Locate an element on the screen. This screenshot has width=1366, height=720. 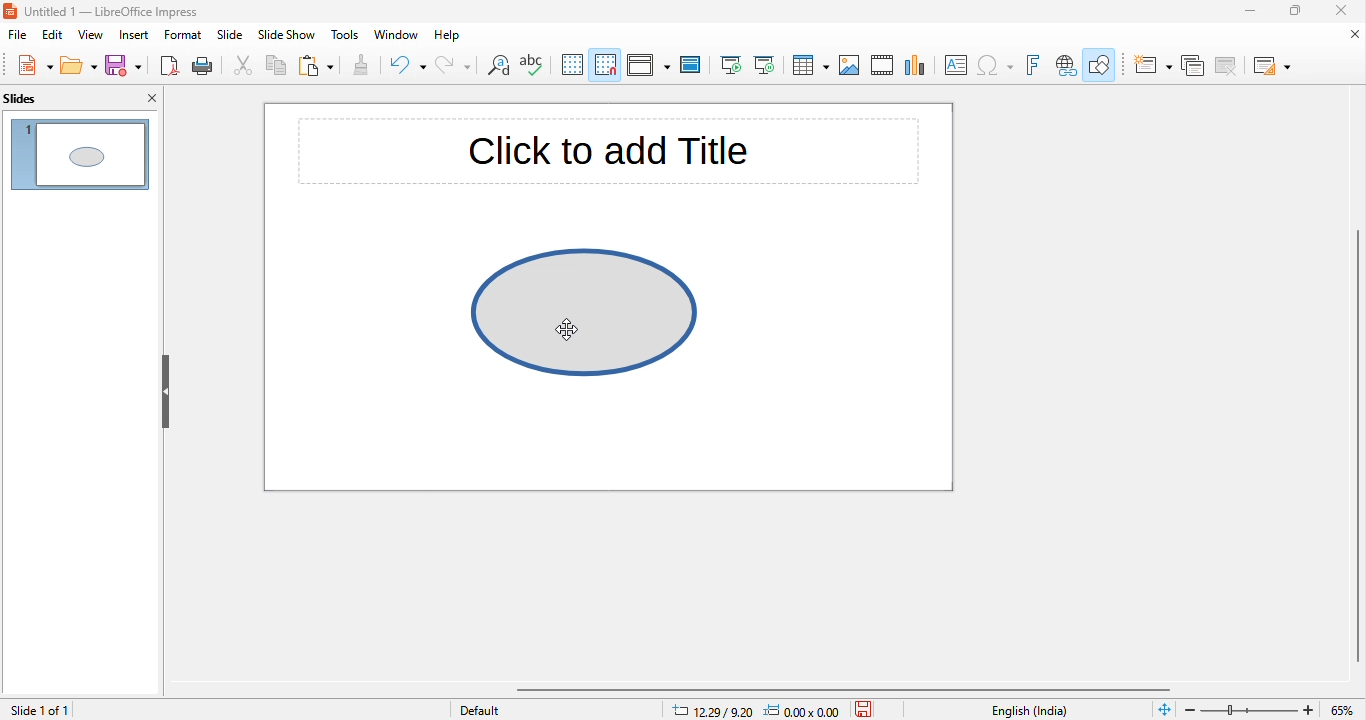
view is located at coordinates (90, 36).